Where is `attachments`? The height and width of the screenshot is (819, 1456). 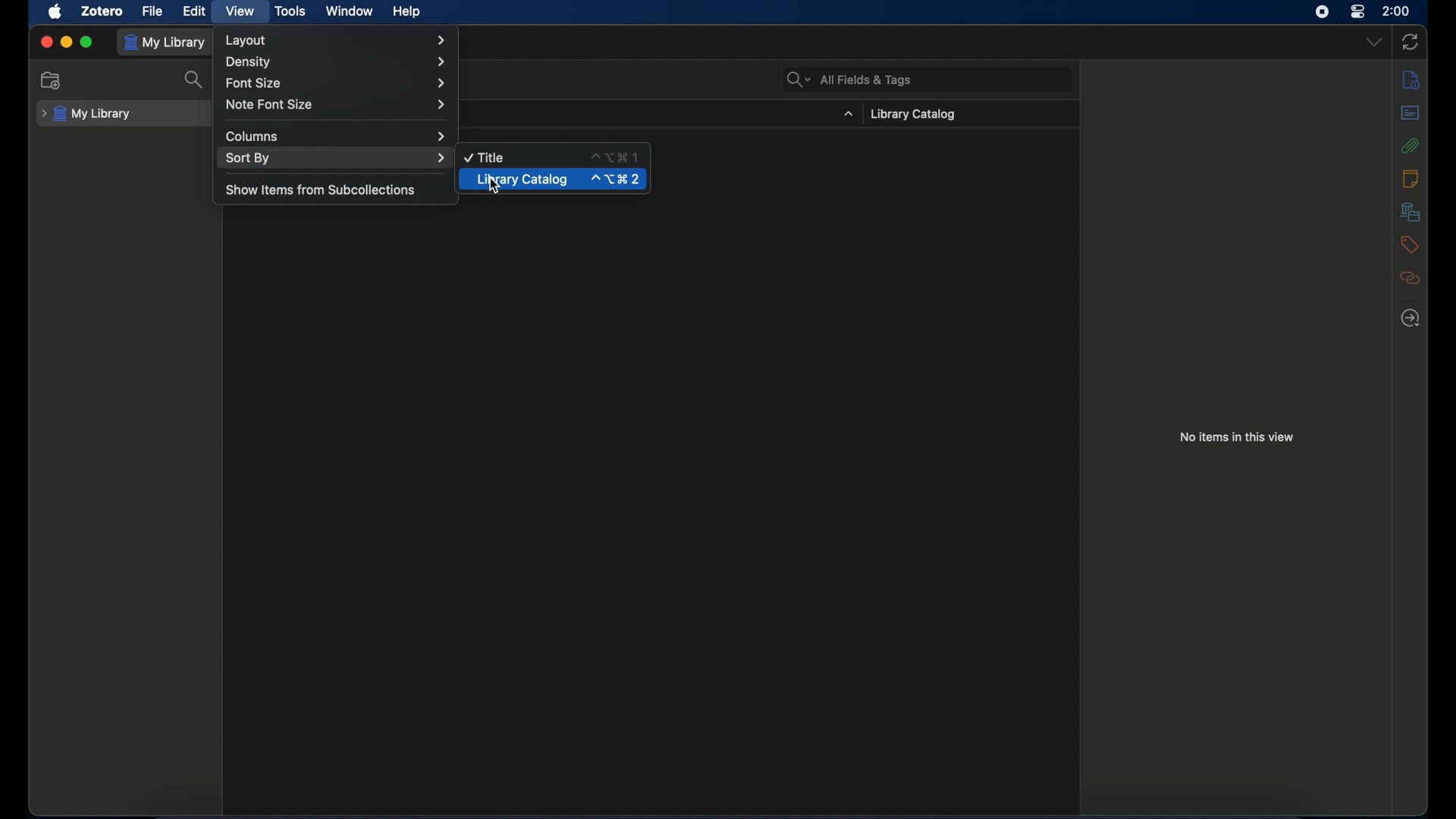
attachments is located at coordinates (1412, 146).